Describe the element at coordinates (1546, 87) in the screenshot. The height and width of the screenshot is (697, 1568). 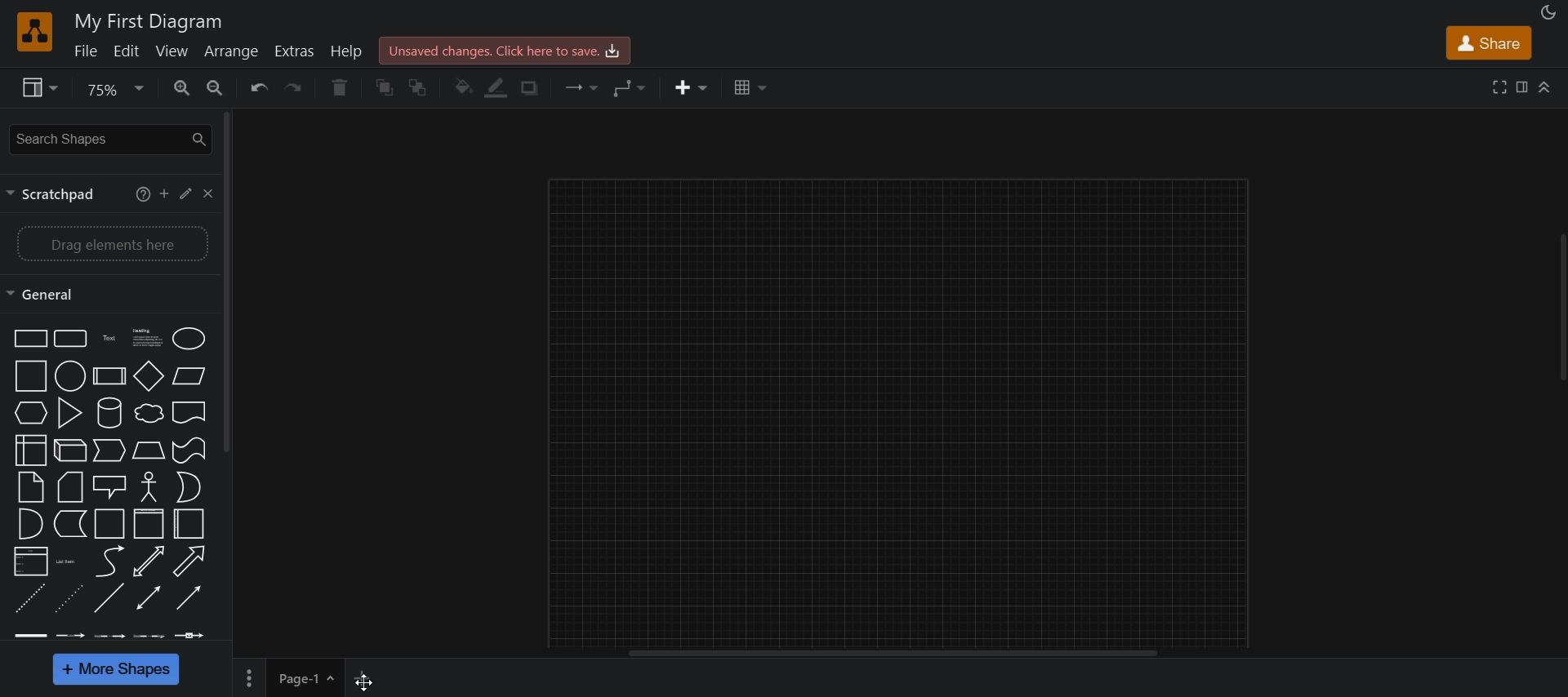
I see `collapse/expand` at that location.